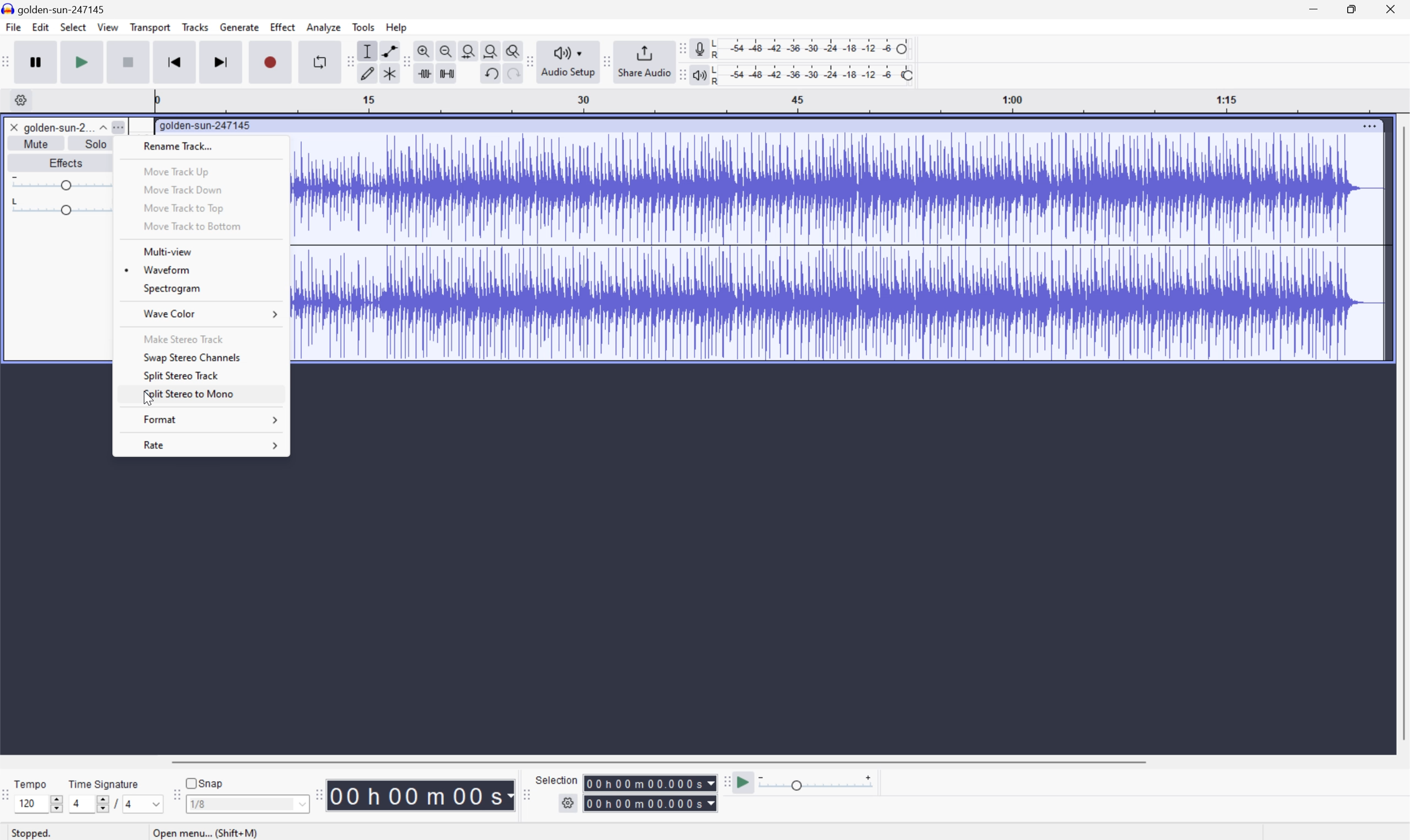 Image resolution: width=1410 pixels, height=840 pixels. I want to click on Split Stereo to mono, so click(187, 393).